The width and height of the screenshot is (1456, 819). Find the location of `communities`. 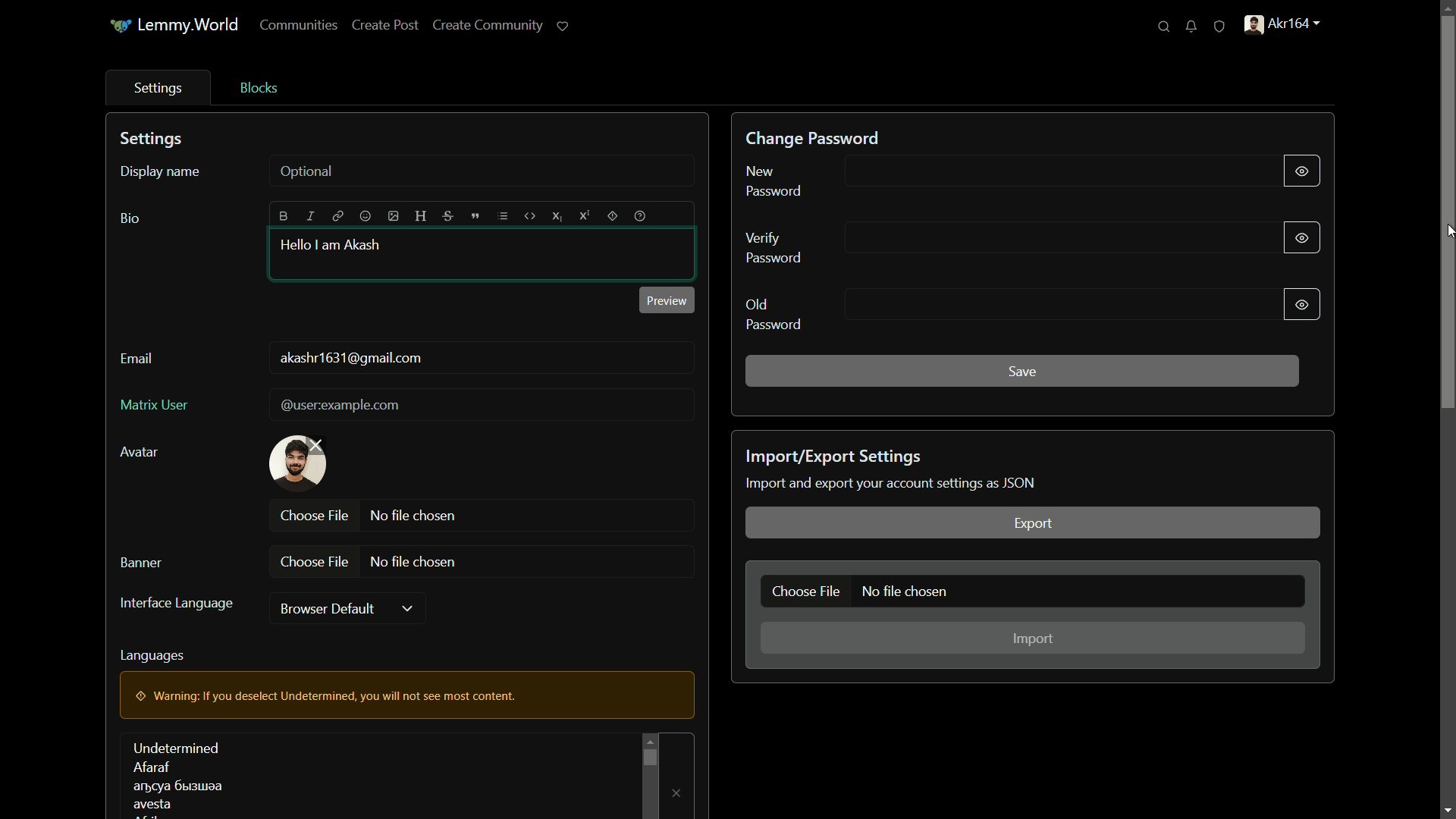

communities is located at coordinates (301, 25).